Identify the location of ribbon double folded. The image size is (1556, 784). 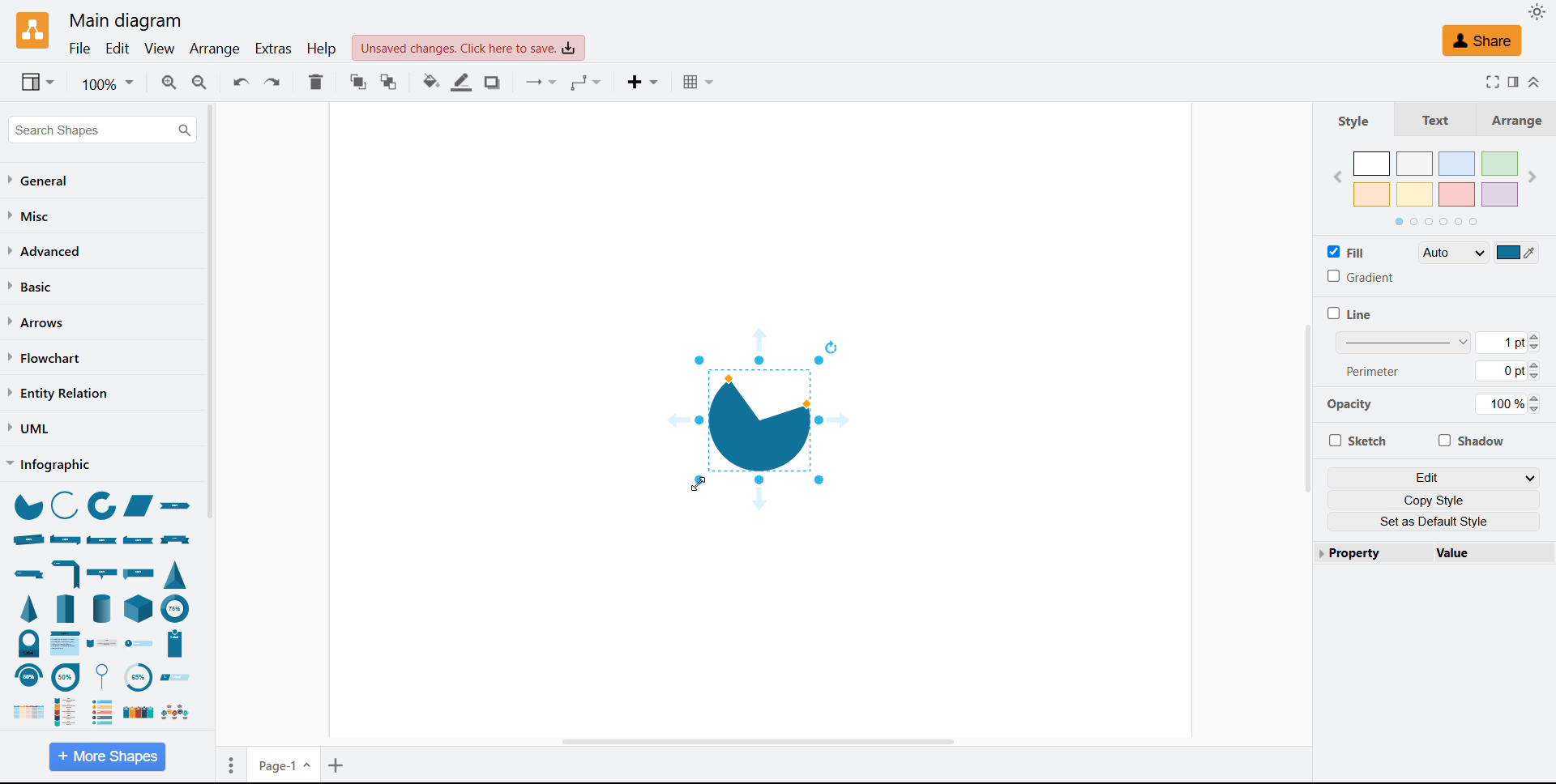
(64, 539).